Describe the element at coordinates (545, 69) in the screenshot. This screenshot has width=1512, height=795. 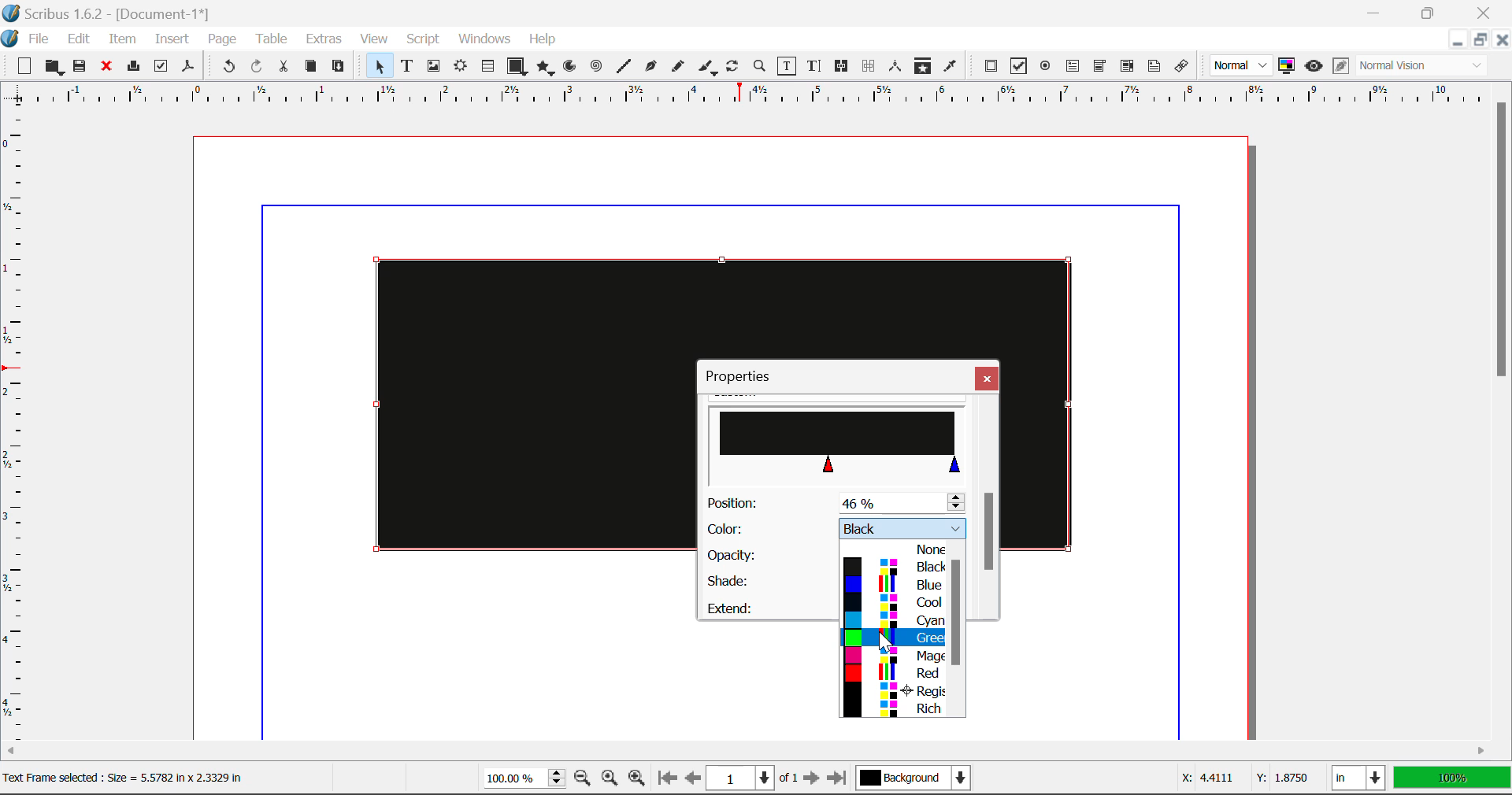
I see `Polygons` at that location.